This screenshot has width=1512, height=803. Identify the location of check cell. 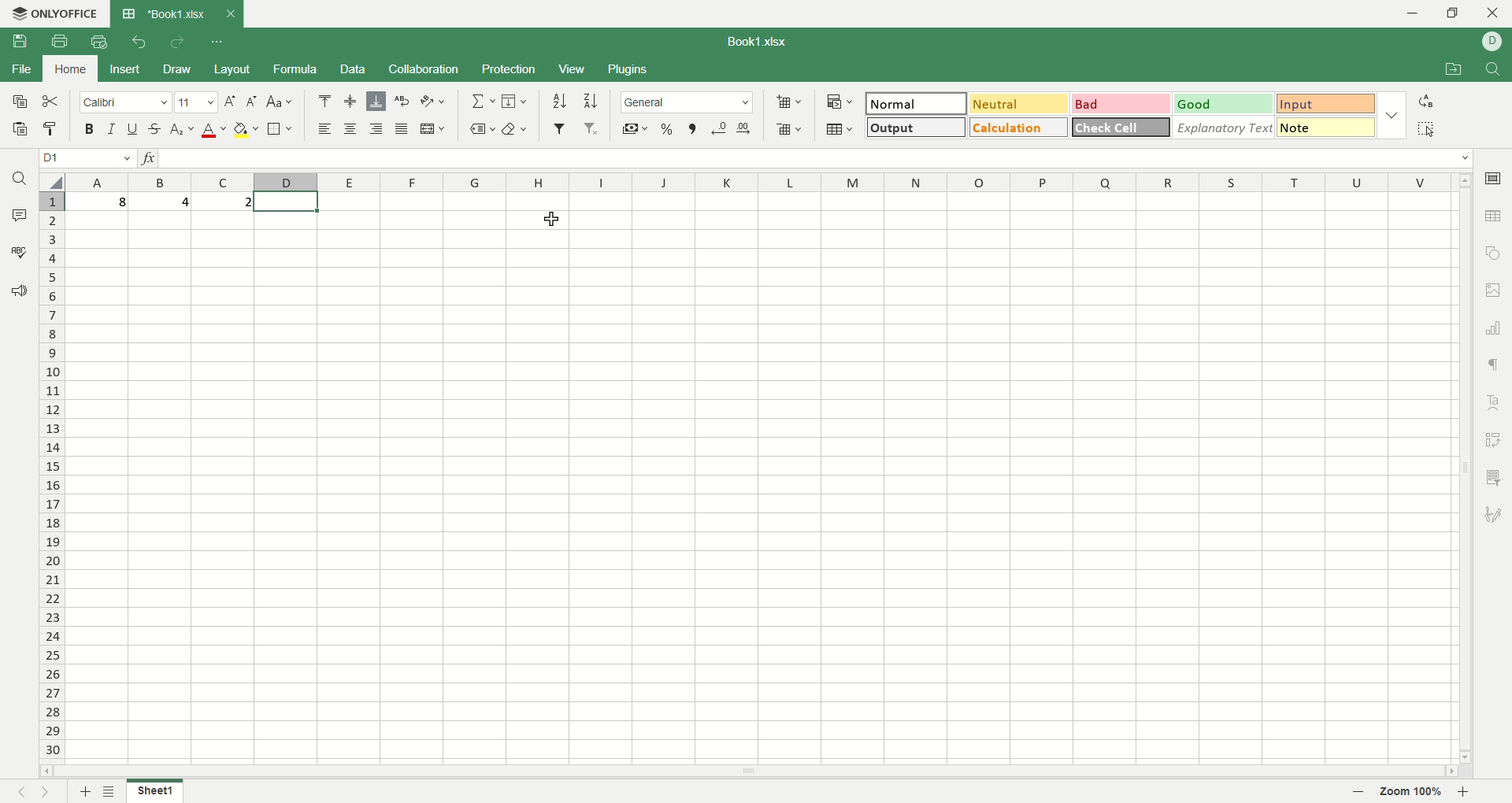
(1121, 128).